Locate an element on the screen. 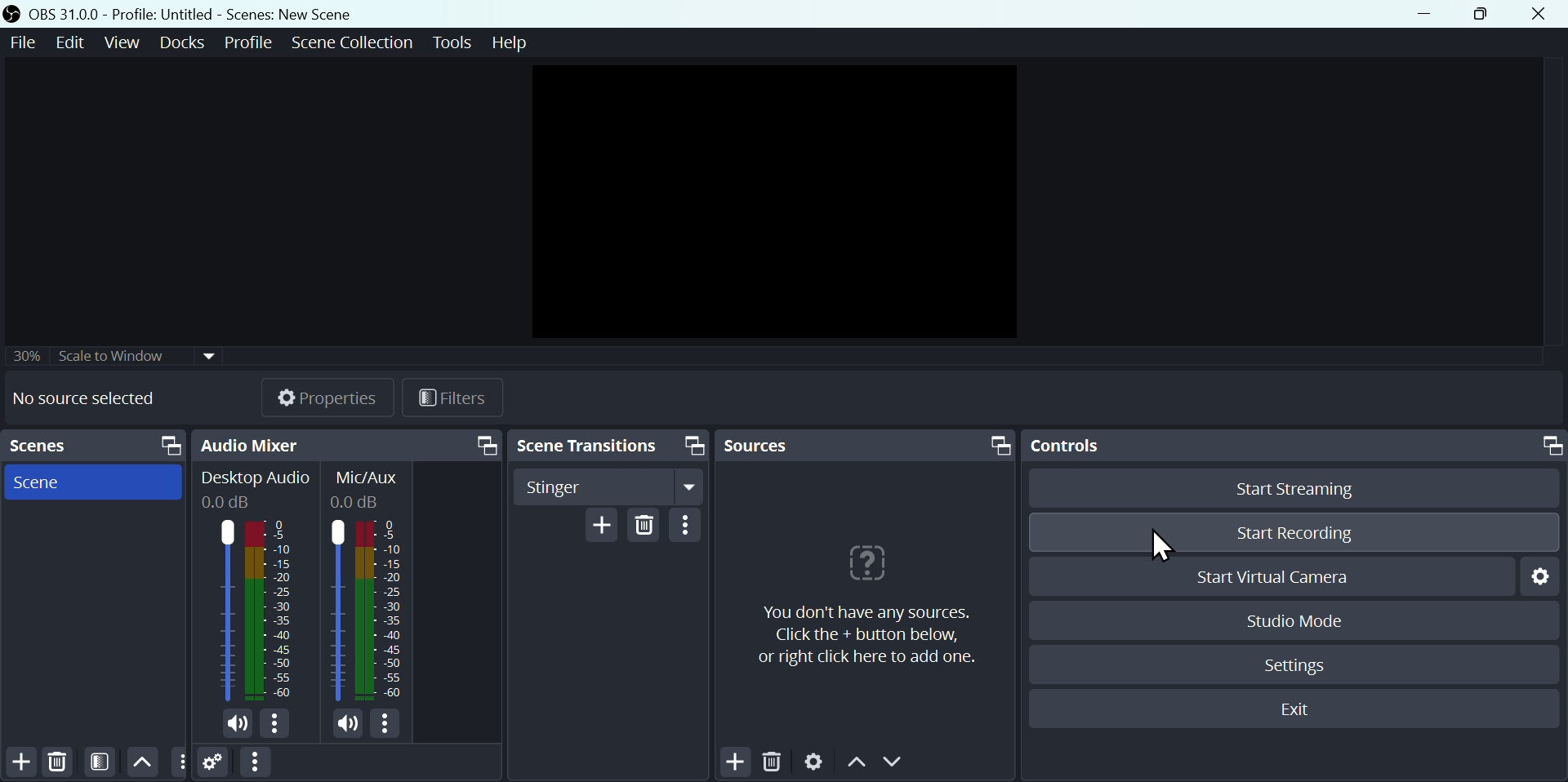 The image size is (1568, 782). icon is located at coordinates (867, 565).